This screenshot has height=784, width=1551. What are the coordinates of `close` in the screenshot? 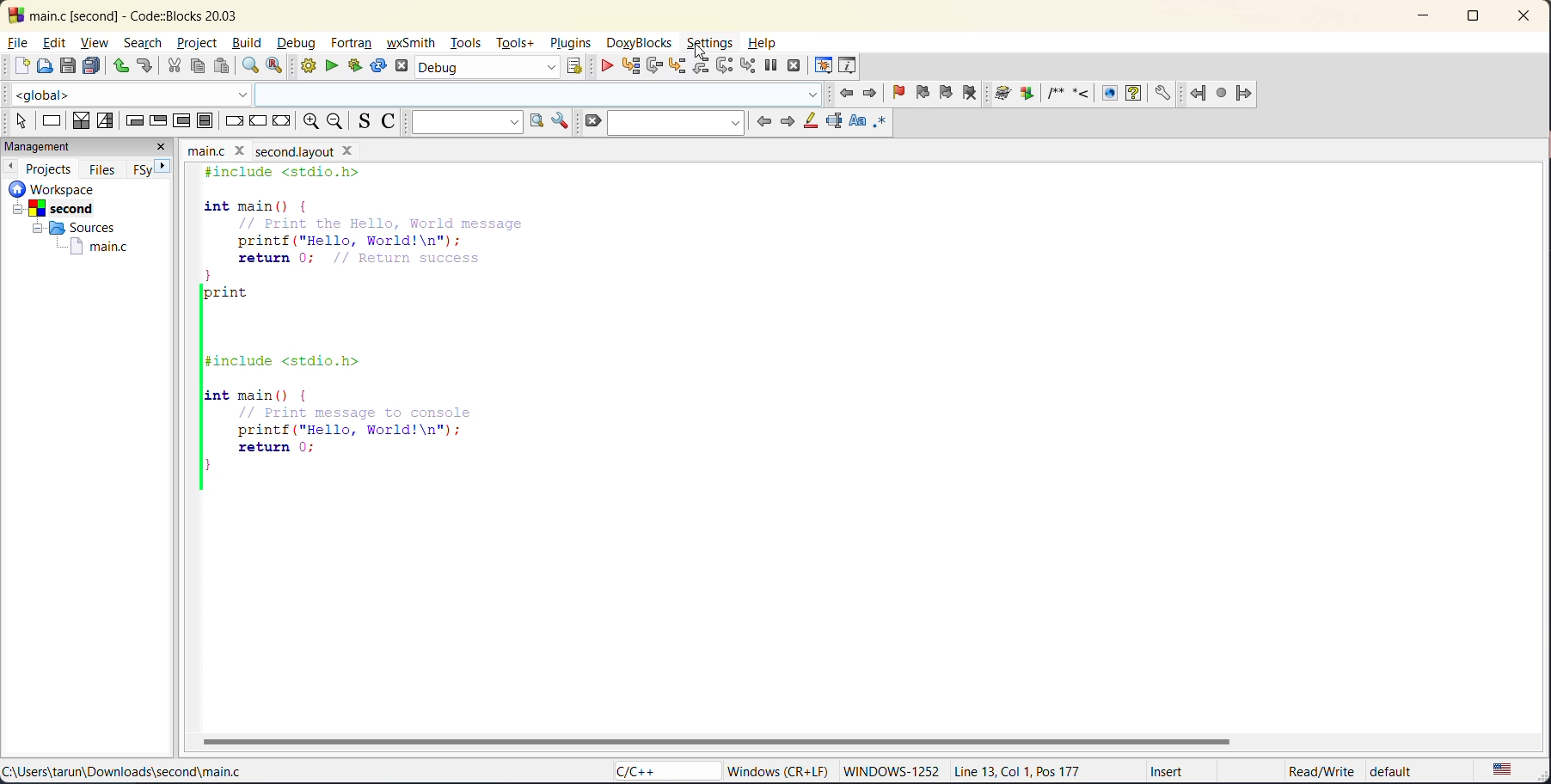 It's located at (1518, 19).